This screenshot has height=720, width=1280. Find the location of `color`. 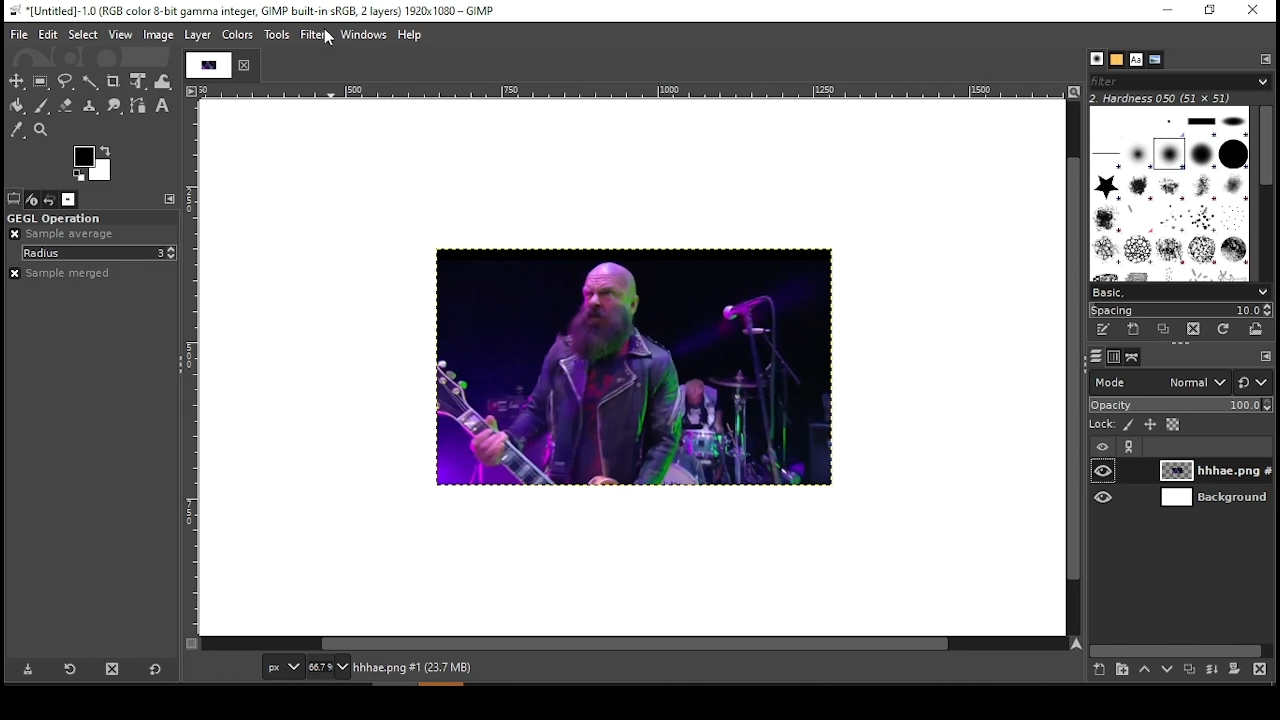

color is located at coordinates (91, 163).